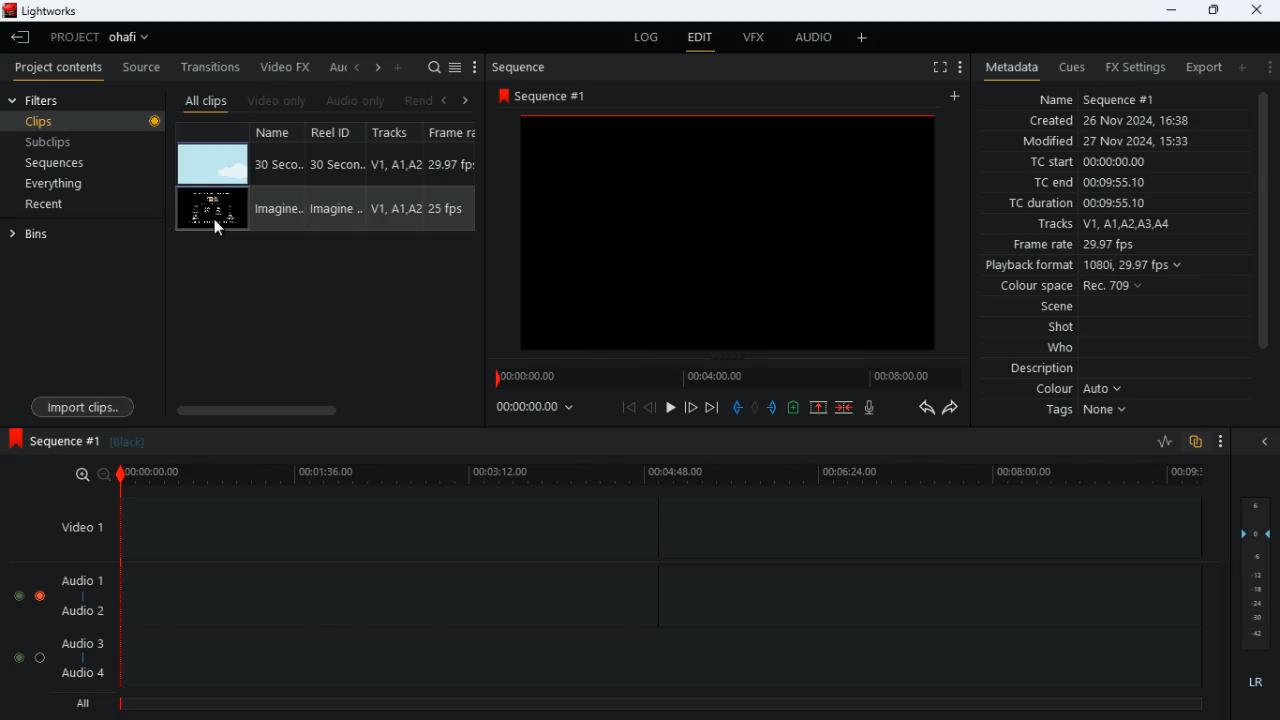 The width and height of the screenshot is (1280, 720). What do you see at coordinates (735, 407) in the screenshot?
I see `pull` at bounding box center [735, 407].